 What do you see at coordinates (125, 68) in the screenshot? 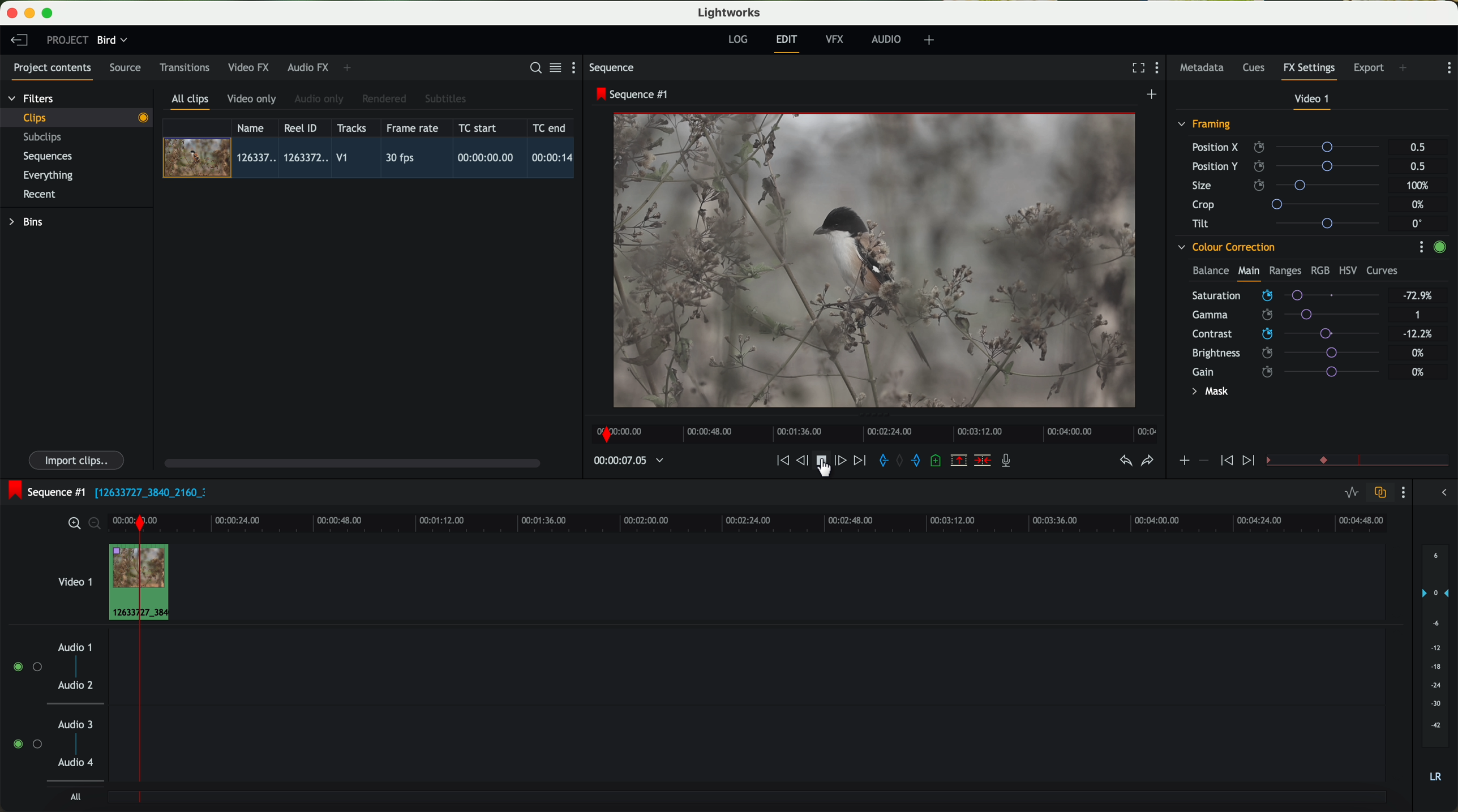
I see `source` at bounding box center [125, 68].